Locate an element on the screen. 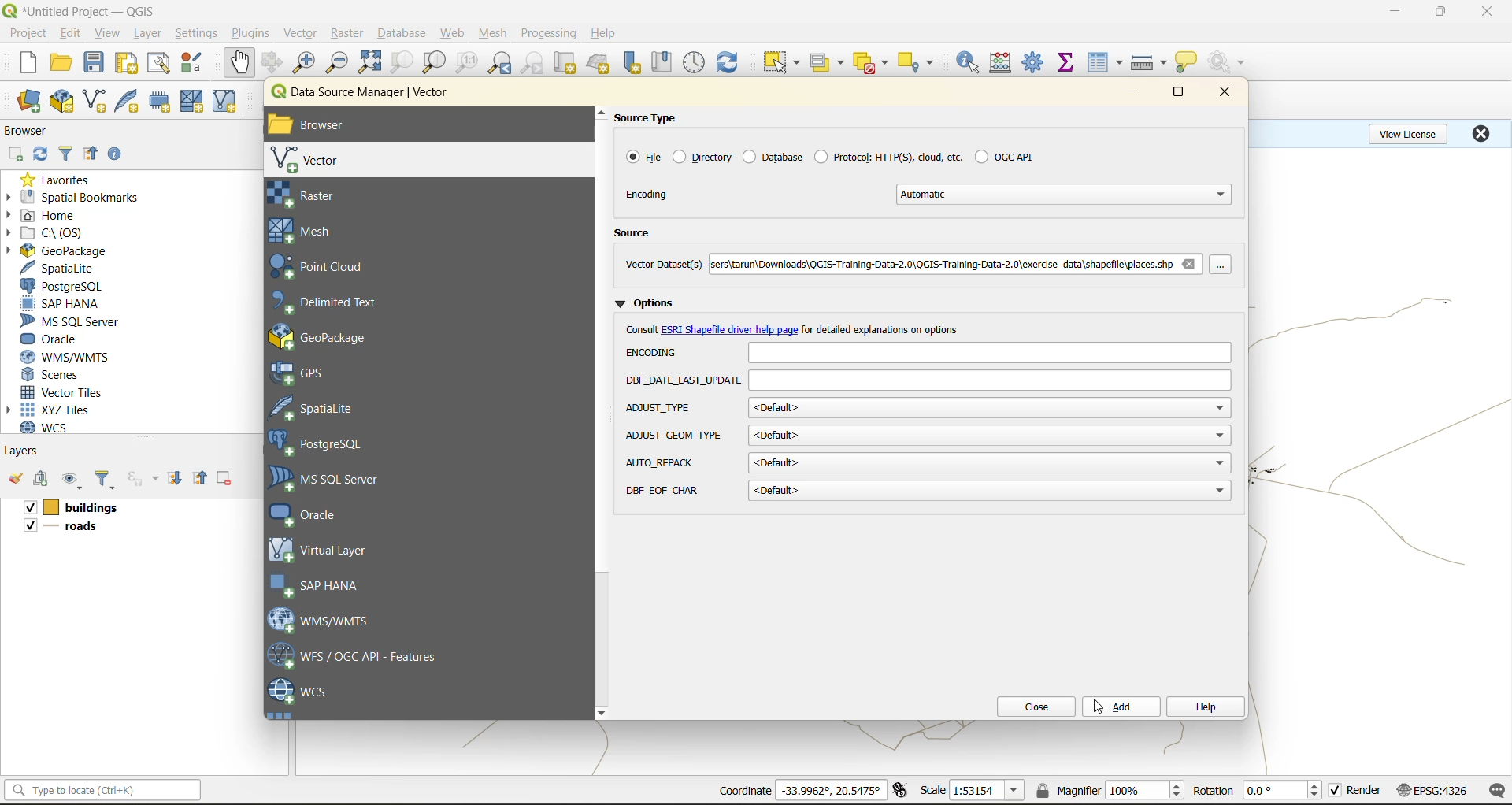 The height and width of the screenshot is (805, 1512). filter is located at coordinates (69, 152).